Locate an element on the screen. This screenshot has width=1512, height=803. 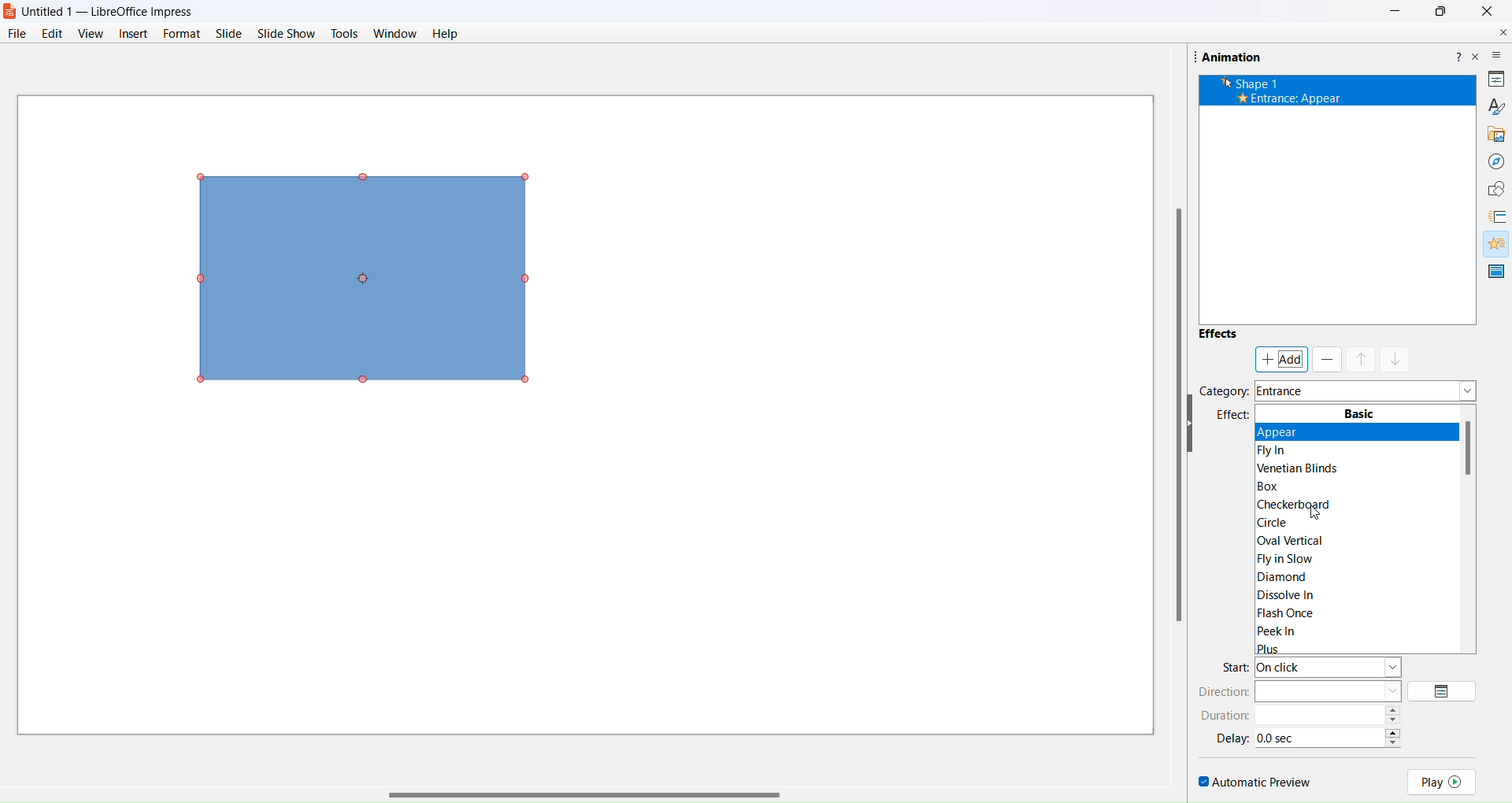
close document is located at coordinates (1499, 32).